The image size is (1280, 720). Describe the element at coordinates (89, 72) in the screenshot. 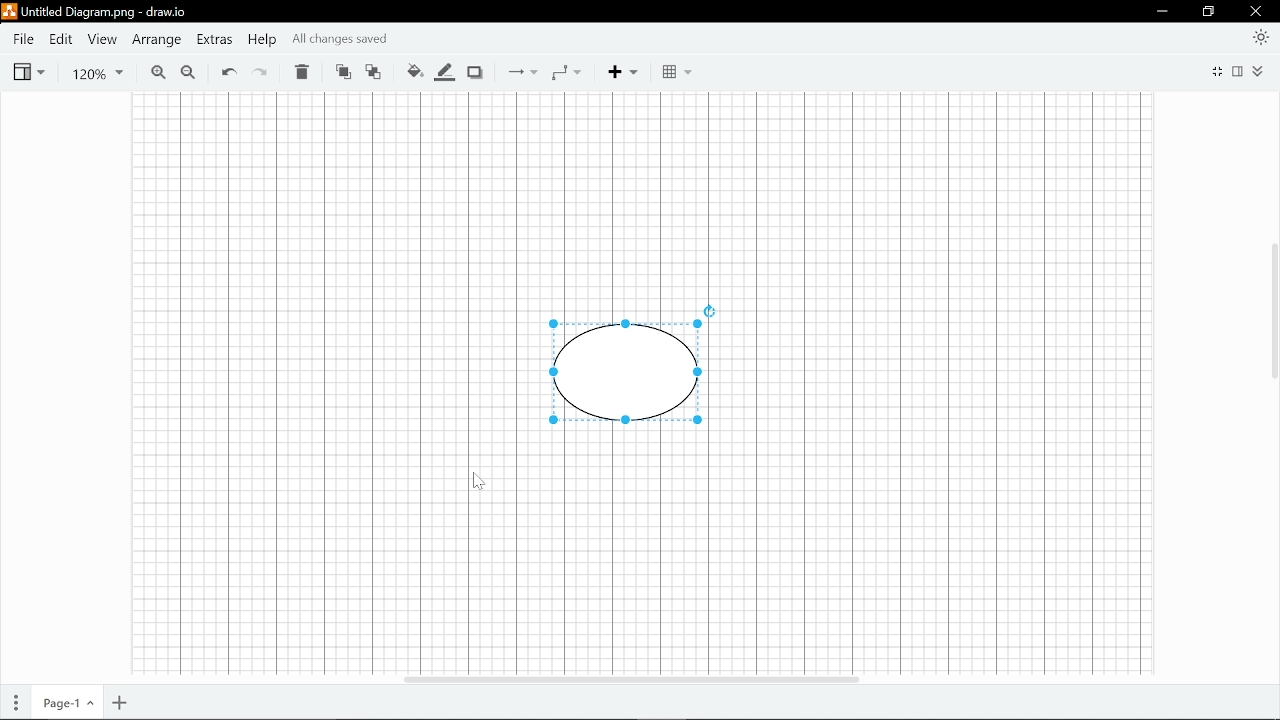

I see `Current zoom` at that location.